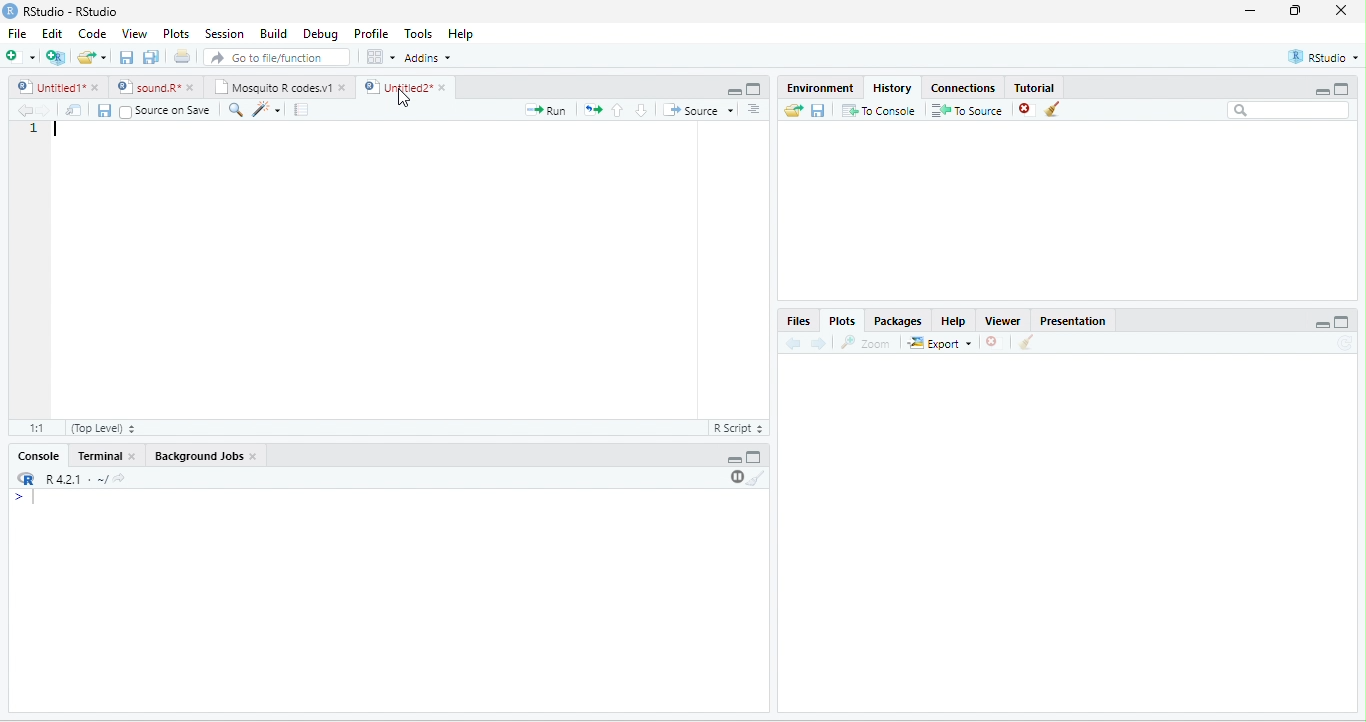 The width and height of the screenshot is (1366, 722). Describe the element at coordinates (52, 32) in the screenshot. I see `Edit` at that location.